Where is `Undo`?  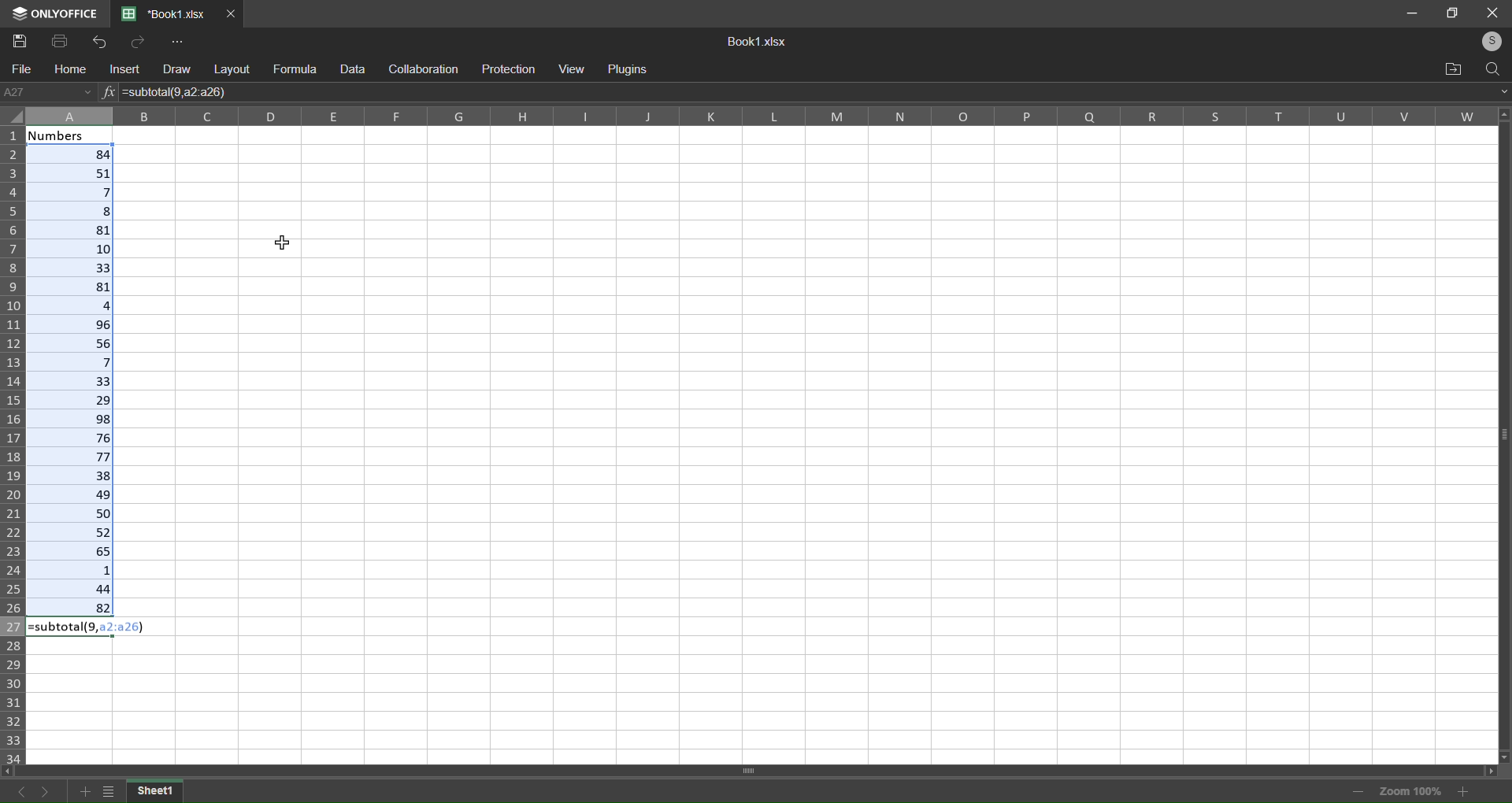
Undo is located at coordinates (98, 43).